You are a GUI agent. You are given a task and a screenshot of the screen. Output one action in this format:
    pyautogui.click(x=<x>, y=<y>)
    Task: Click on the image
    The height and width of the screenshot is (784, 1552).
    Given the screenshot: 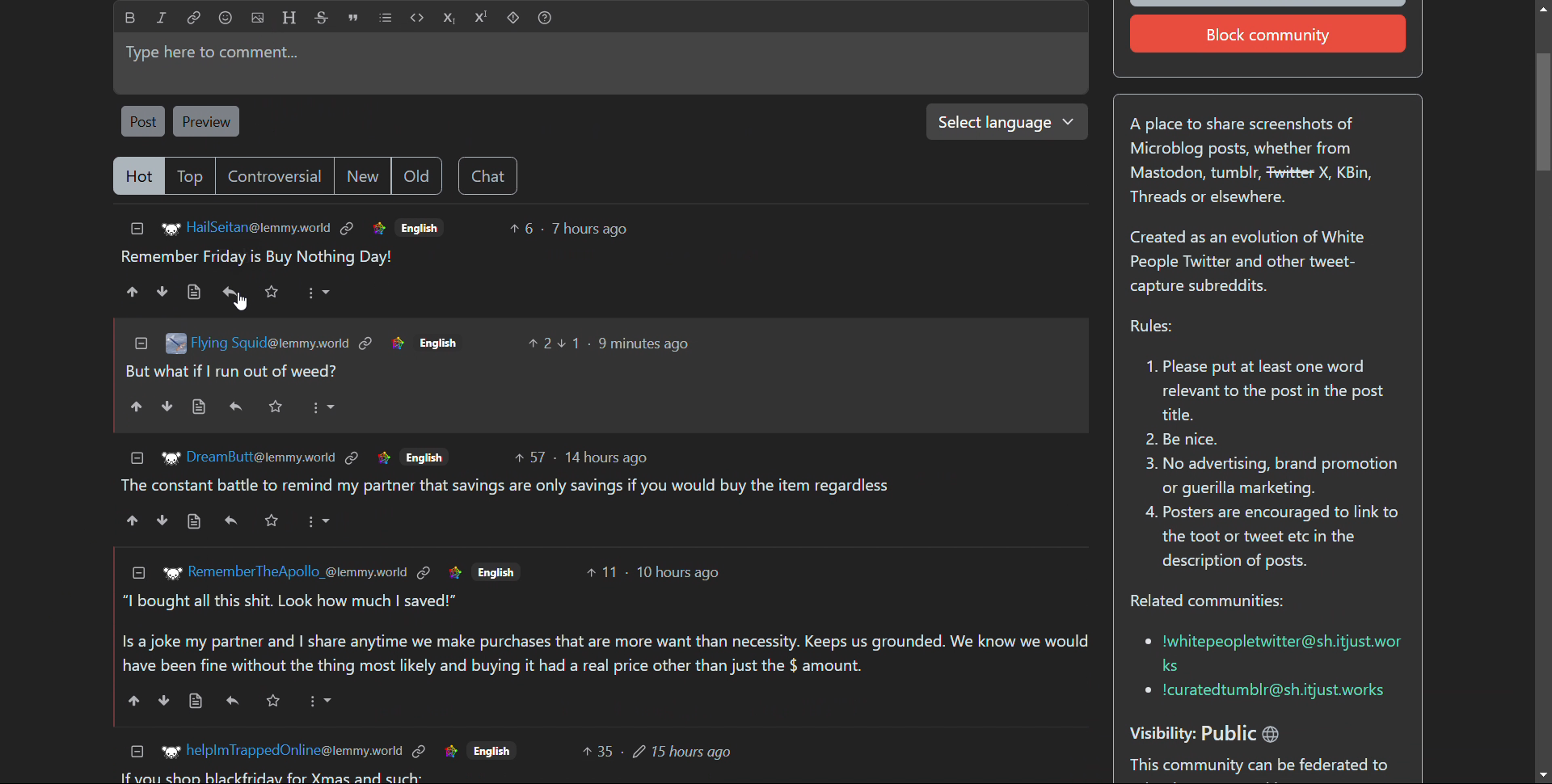 What is the action you would take?
    pyautogui.click(x=171, y=457)
    